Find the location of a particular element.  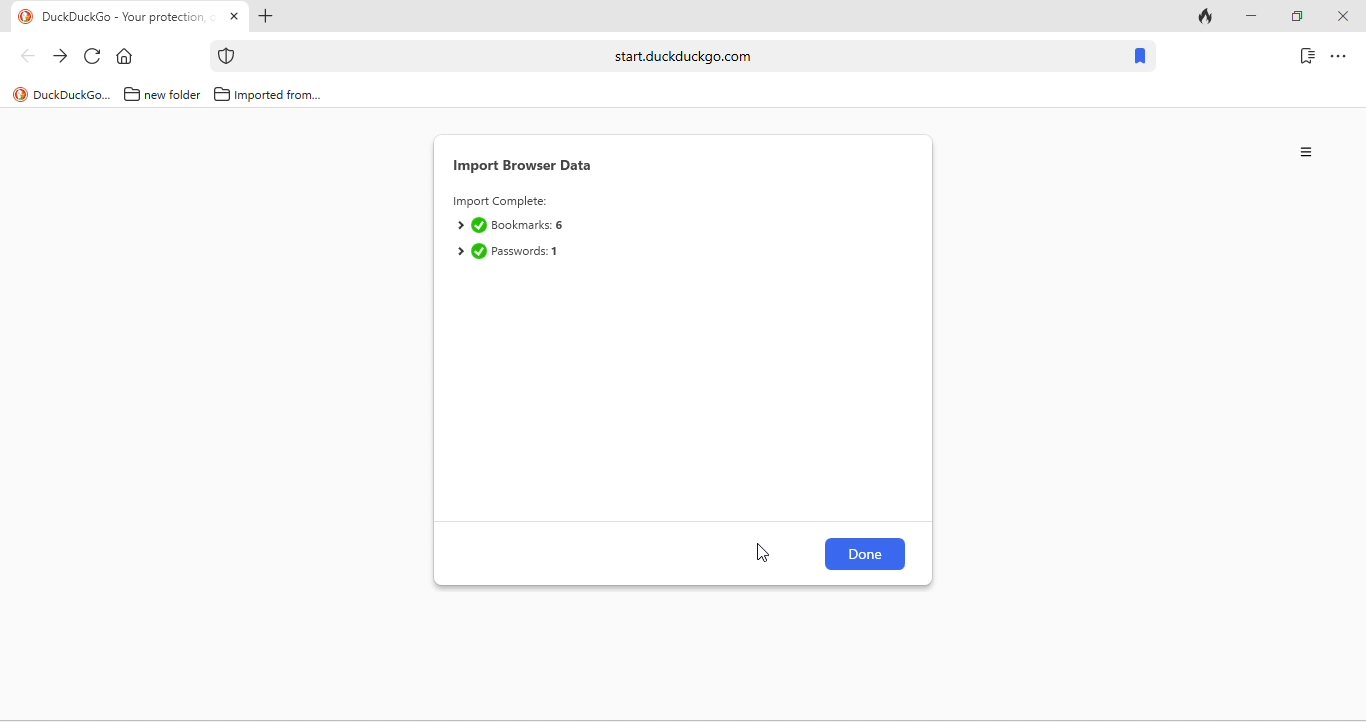

Bookmarks: 6 is located at coordinates (529, 225).